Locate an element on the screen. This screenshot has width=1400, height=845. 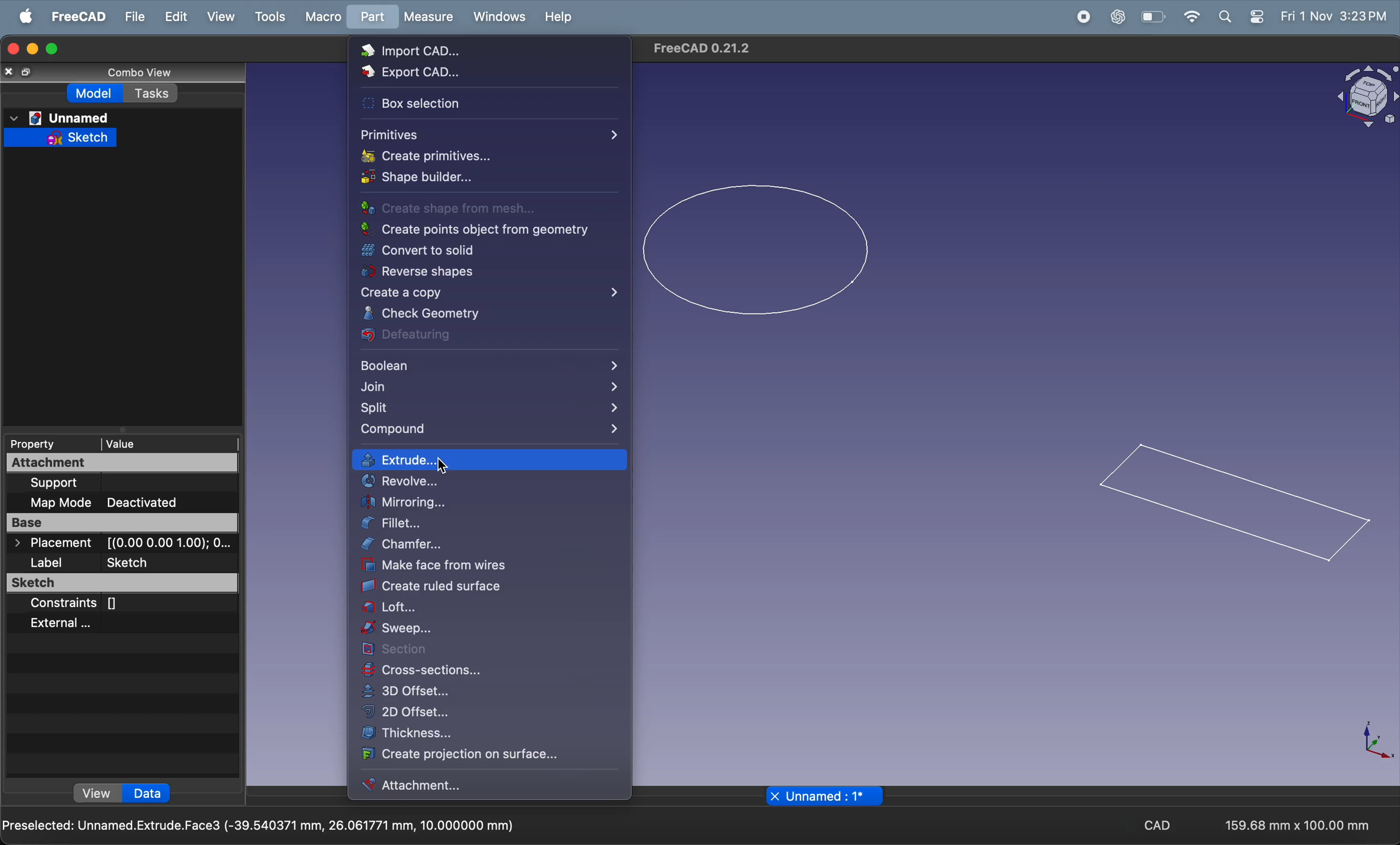
Revolve... is located at coordinates (476, 482).